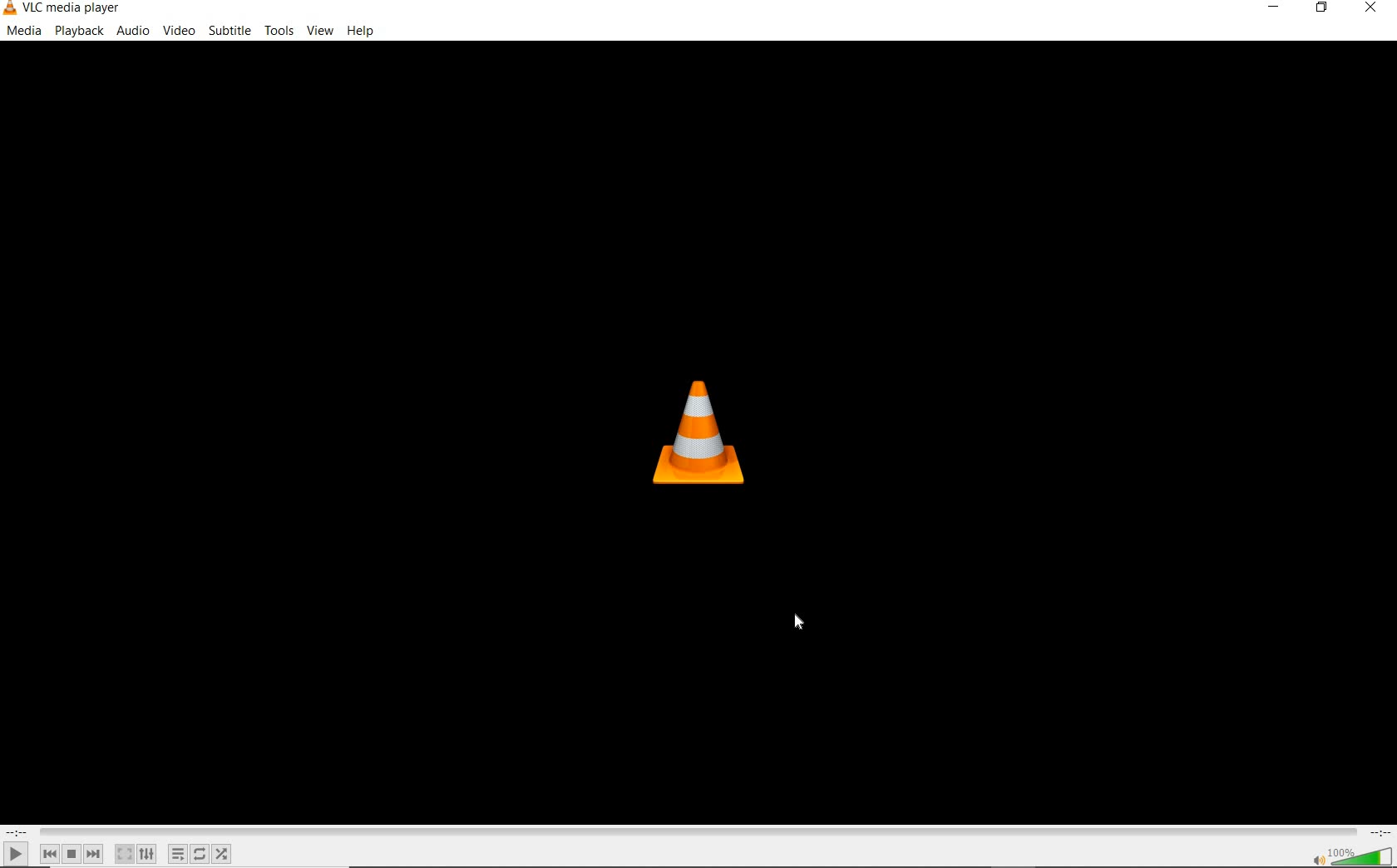  I want to click on previous media, so click(49, 854).